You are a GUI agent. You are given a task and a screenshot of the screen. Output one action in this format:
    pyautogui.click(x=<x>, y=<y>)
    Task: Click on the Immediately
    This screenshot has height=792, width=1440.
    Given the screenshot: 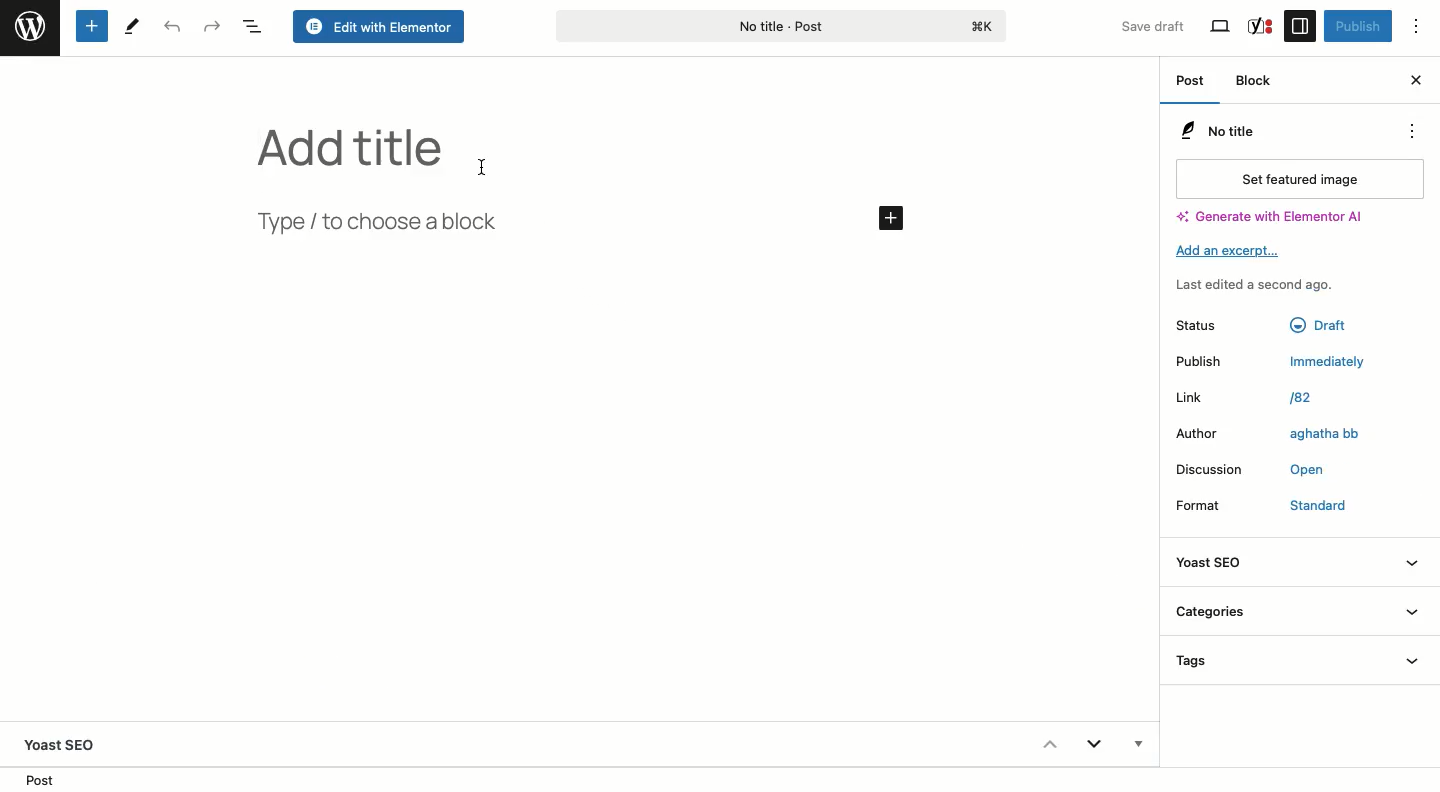 What is the action you would take?
    pyautogui.click(x=1316, y=361)
    